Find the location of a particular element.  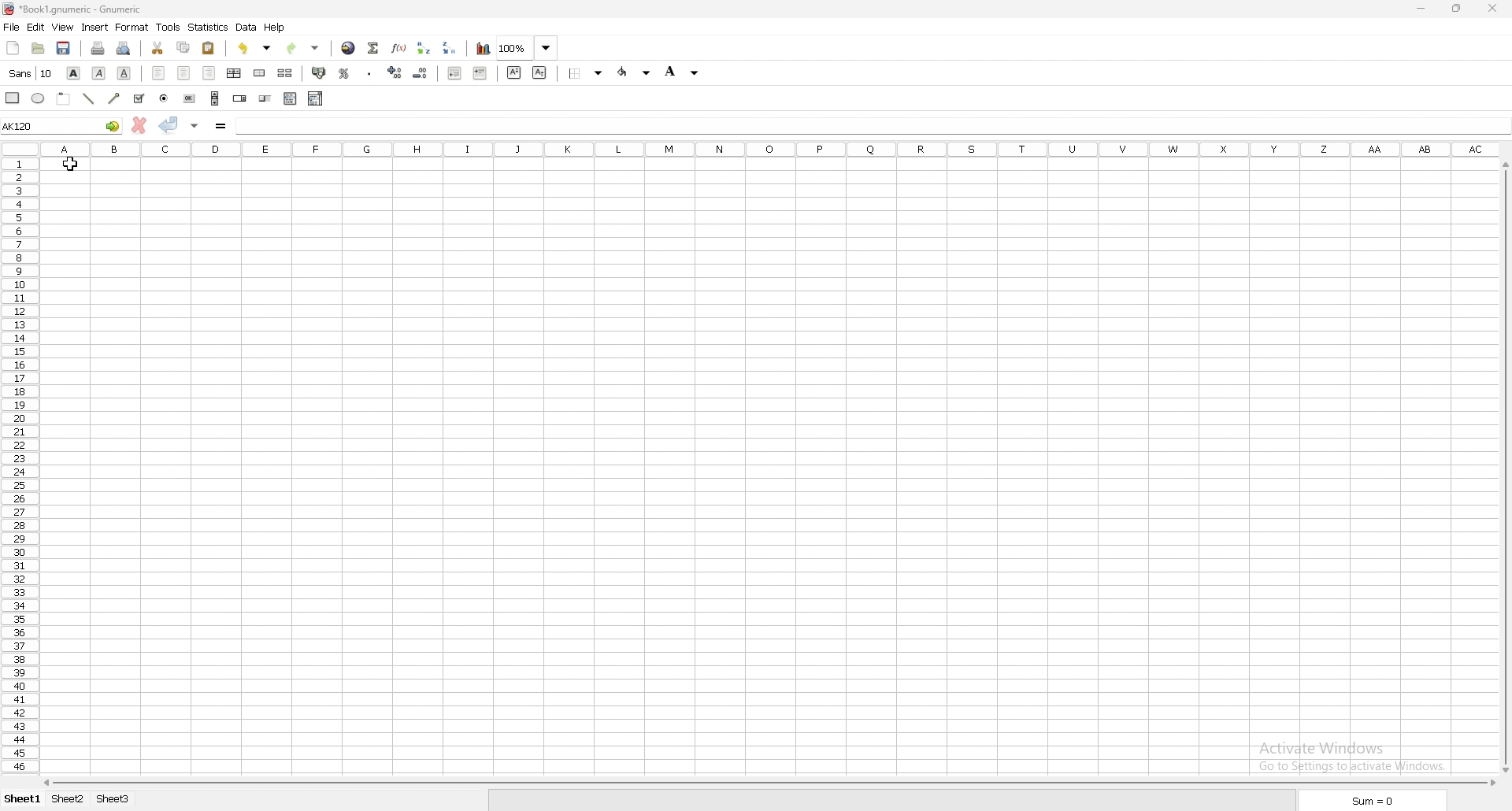

open is located at coordinates (39, 48).